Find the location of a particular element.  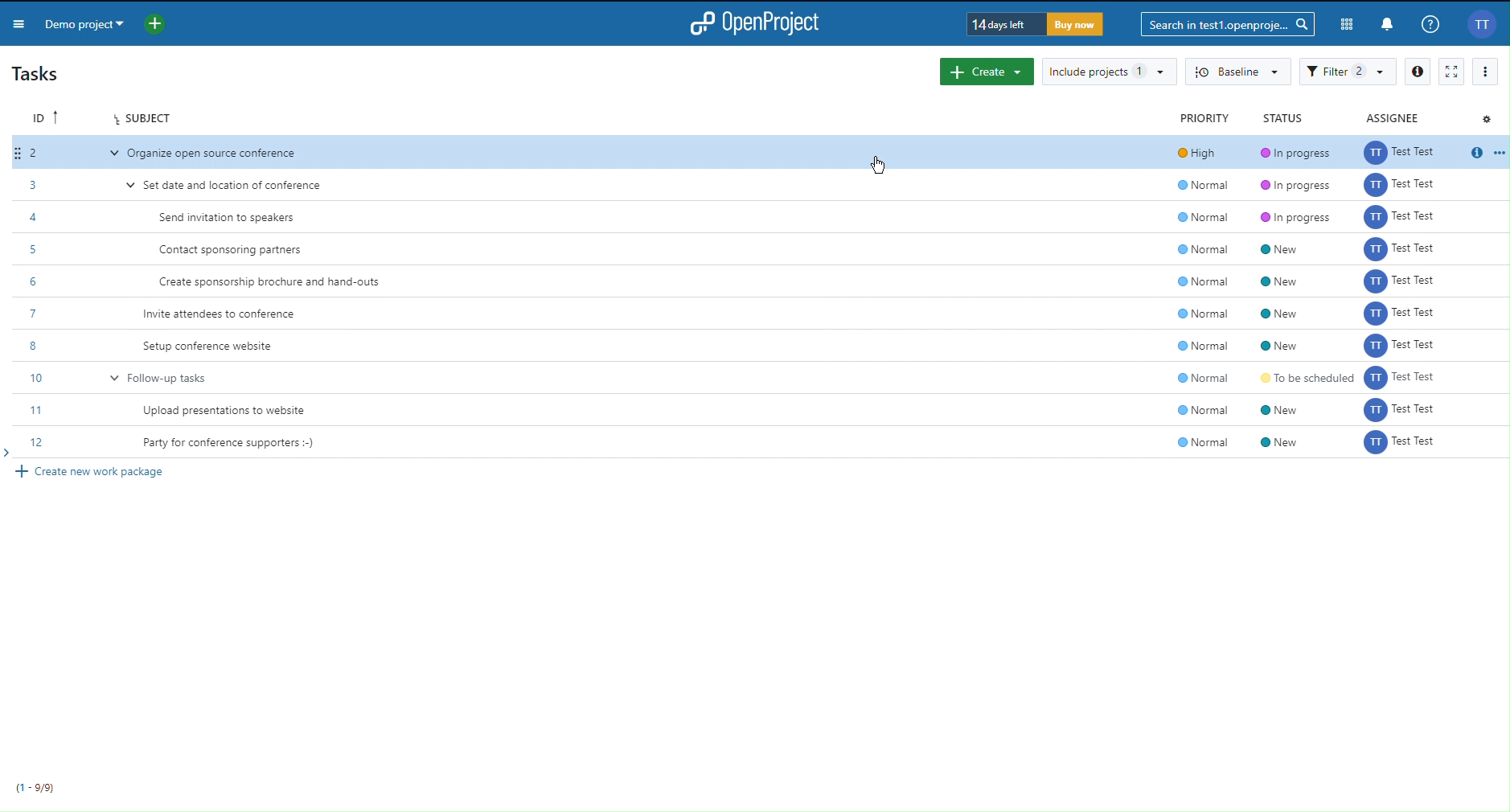

362 + Organize open source conference @ High @ In progress [7] Test Test 0 - is located at coordinates (762, 153).